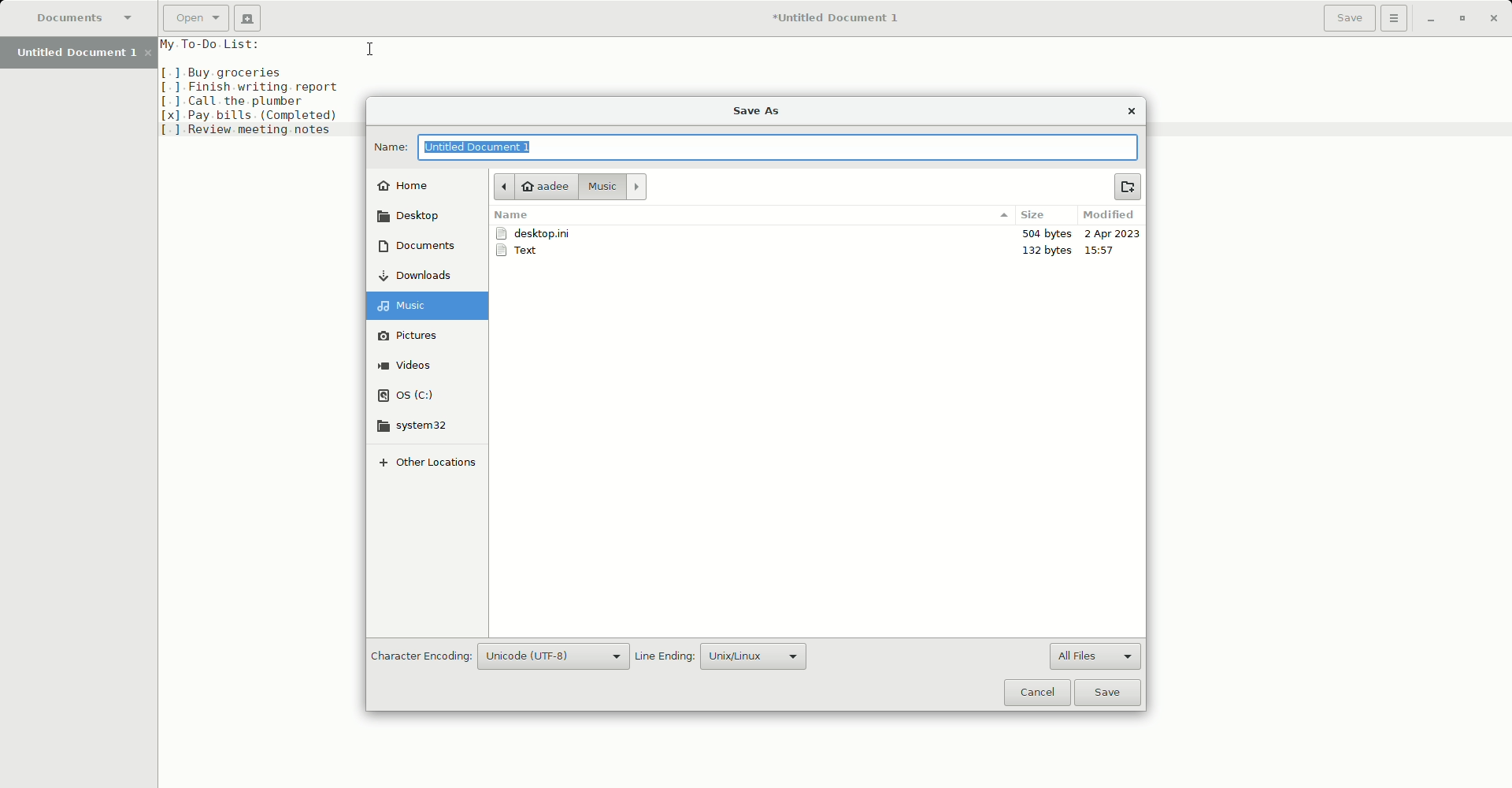 The width and height of the screenshot is (1512, 788). I want to click on Music, so click(432, 305).